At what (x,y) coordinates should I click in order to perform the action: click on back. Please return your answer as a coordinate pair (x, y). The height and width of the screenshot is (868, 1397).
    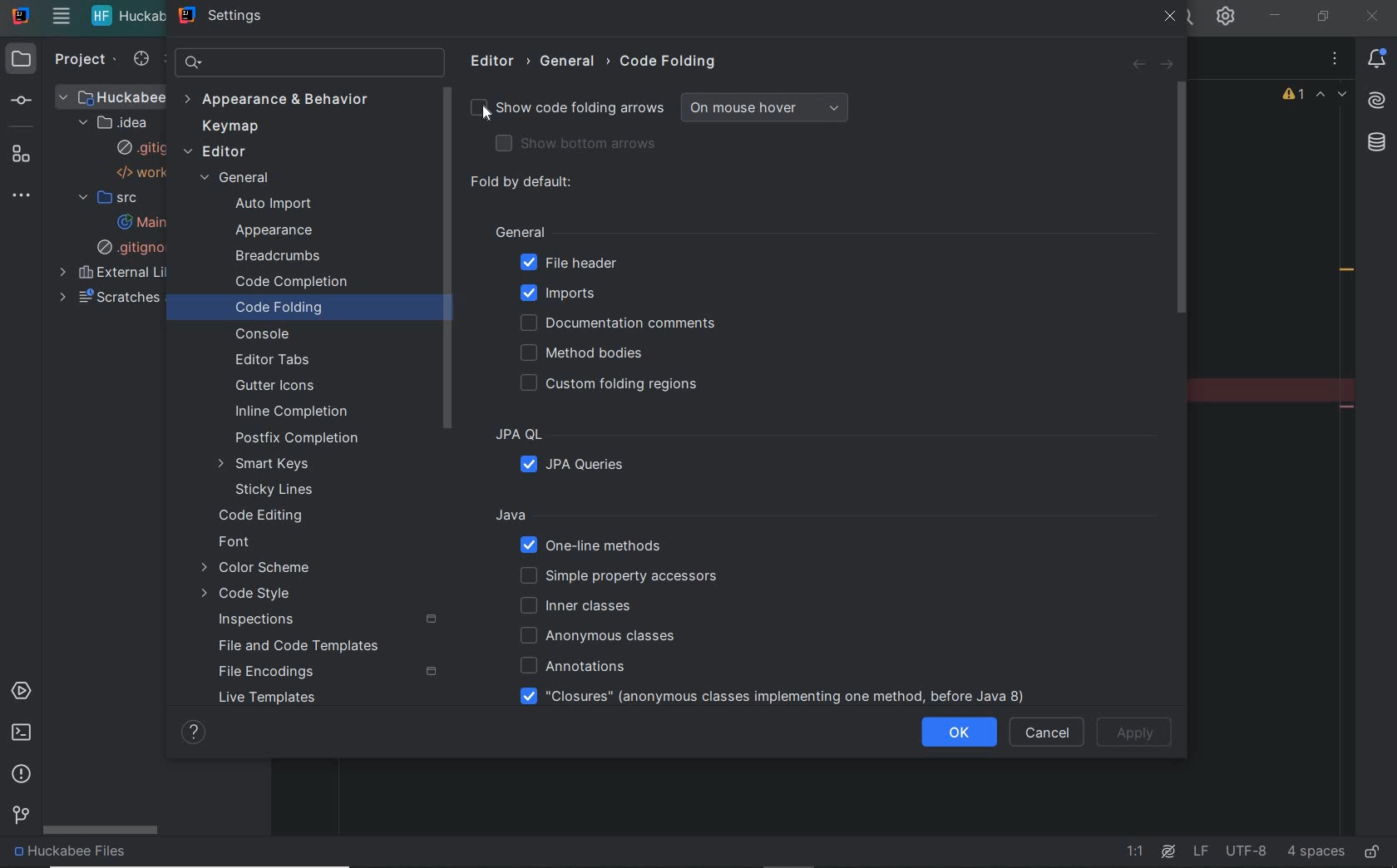
    Looking at the image, I should click on (1138, 67).